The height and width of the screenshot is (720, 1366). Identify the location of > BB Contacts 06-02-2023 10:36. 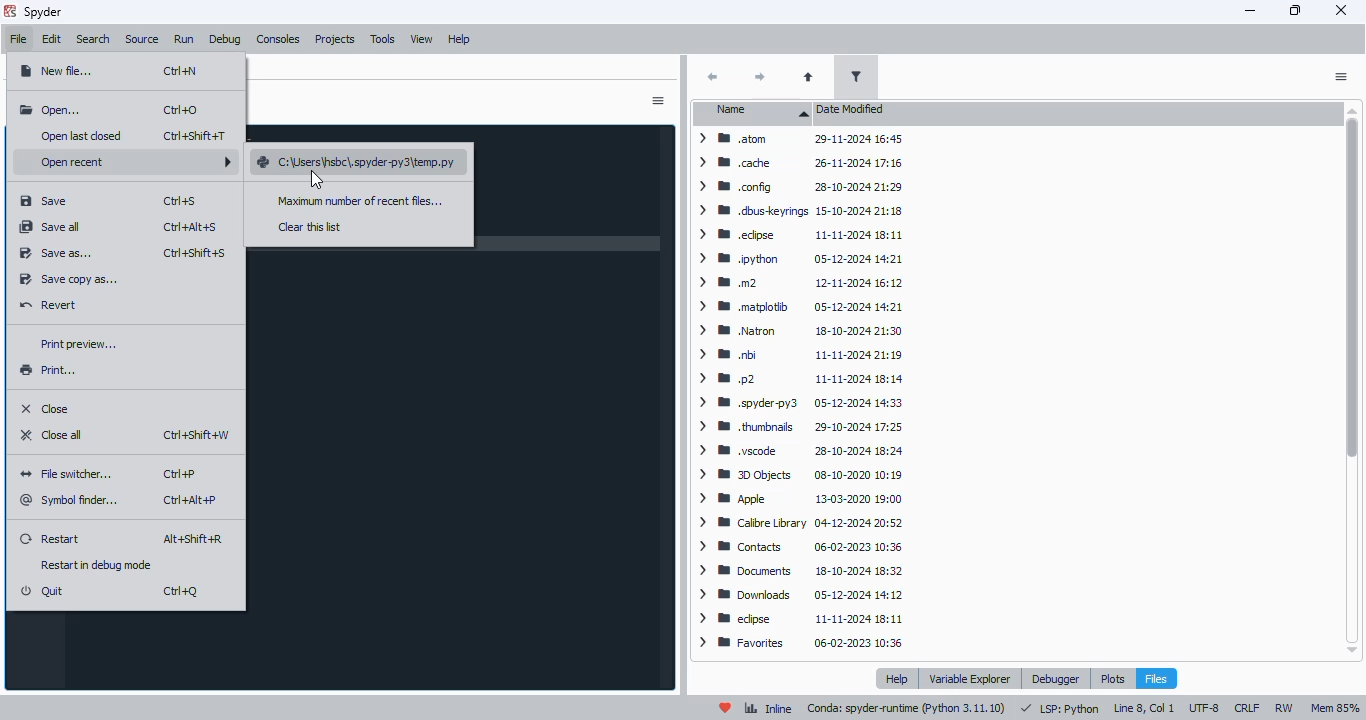
(799, 545).